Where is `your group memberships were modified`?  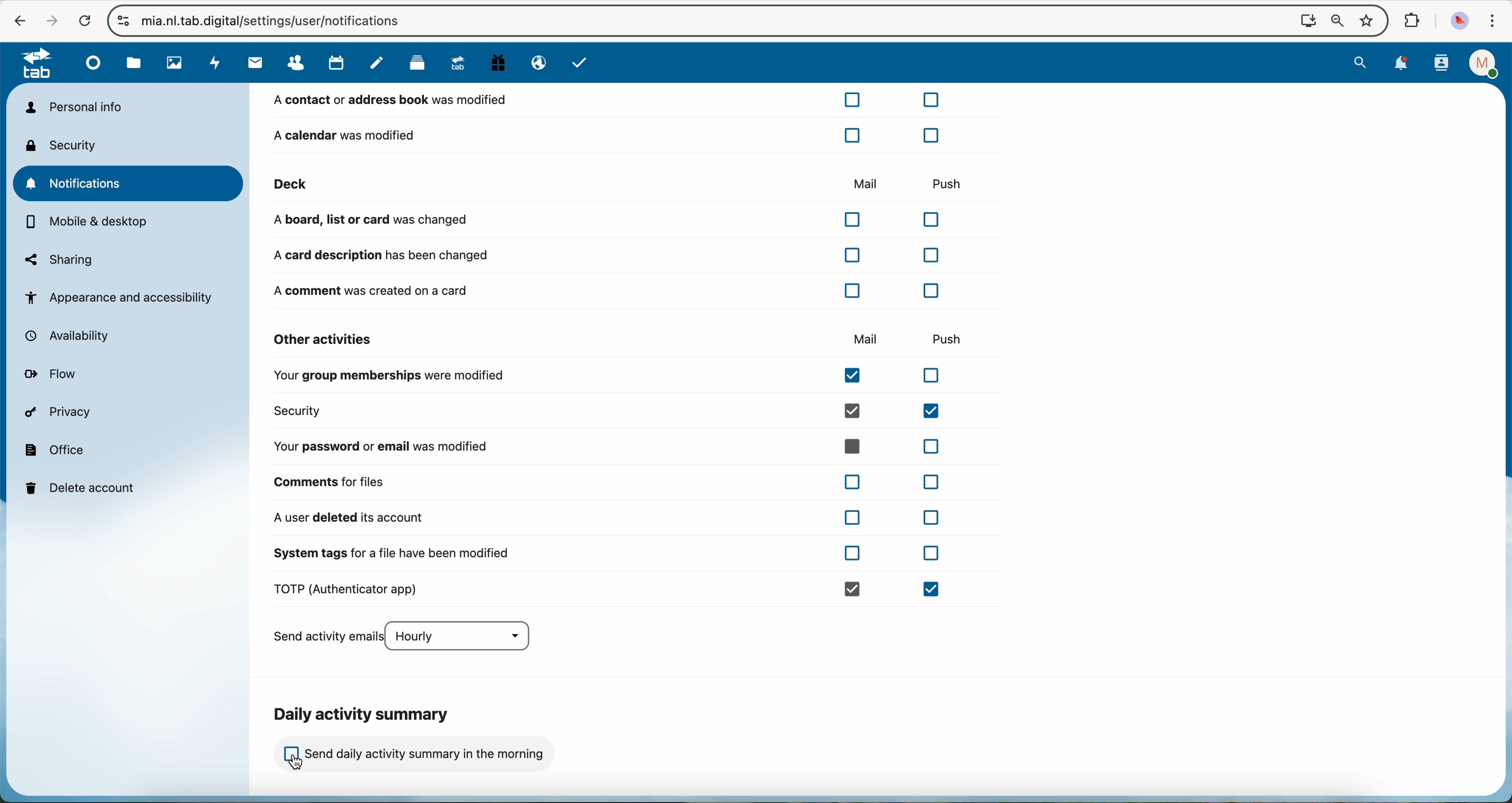
your group memberships were modified is located at coordinates (614, 377).